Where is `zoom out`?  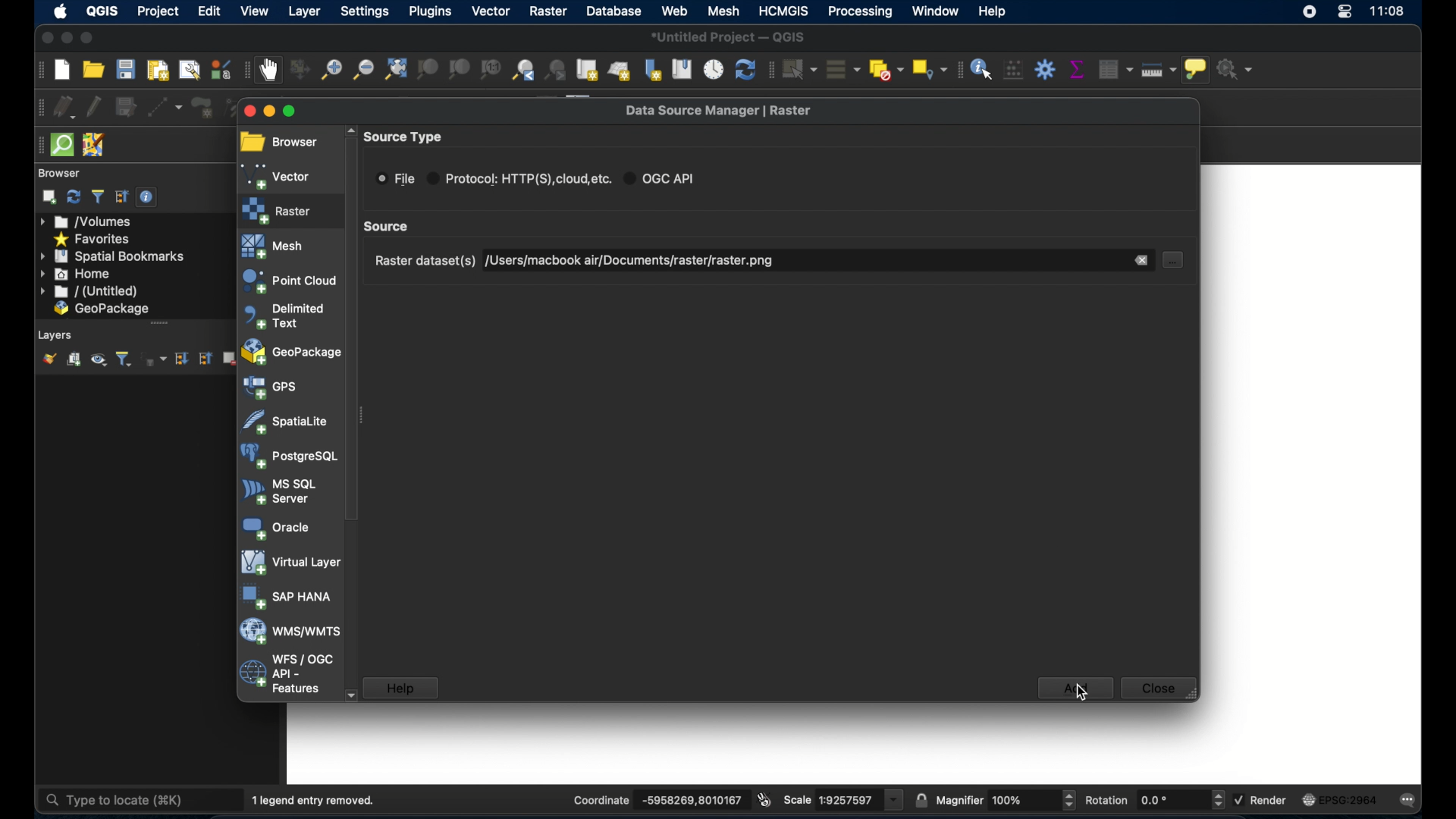 zoom out is located at coordinates (363, 69).